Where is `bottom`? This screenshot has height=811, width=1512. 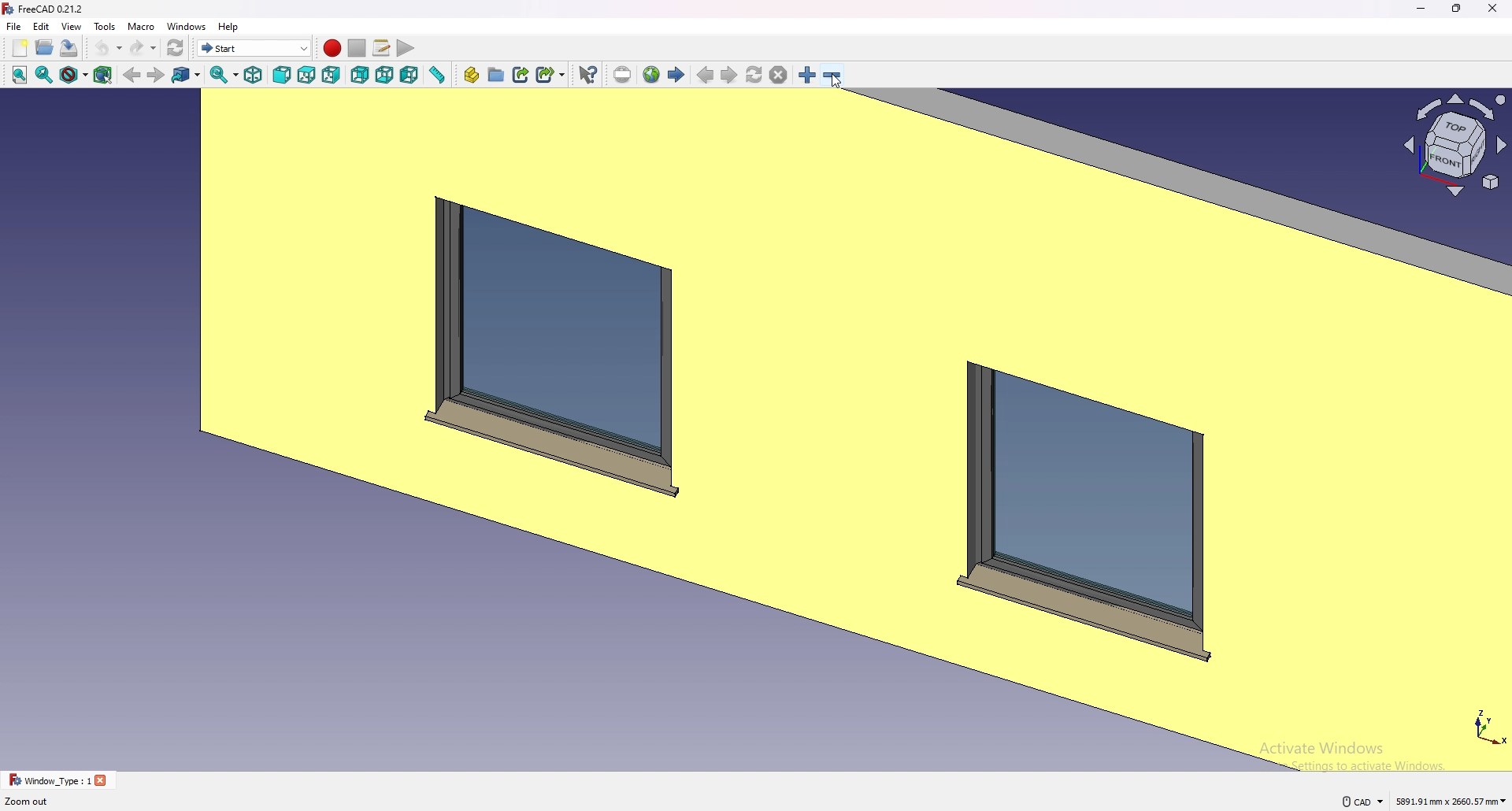
bottom is located at coordinates (384, 76).